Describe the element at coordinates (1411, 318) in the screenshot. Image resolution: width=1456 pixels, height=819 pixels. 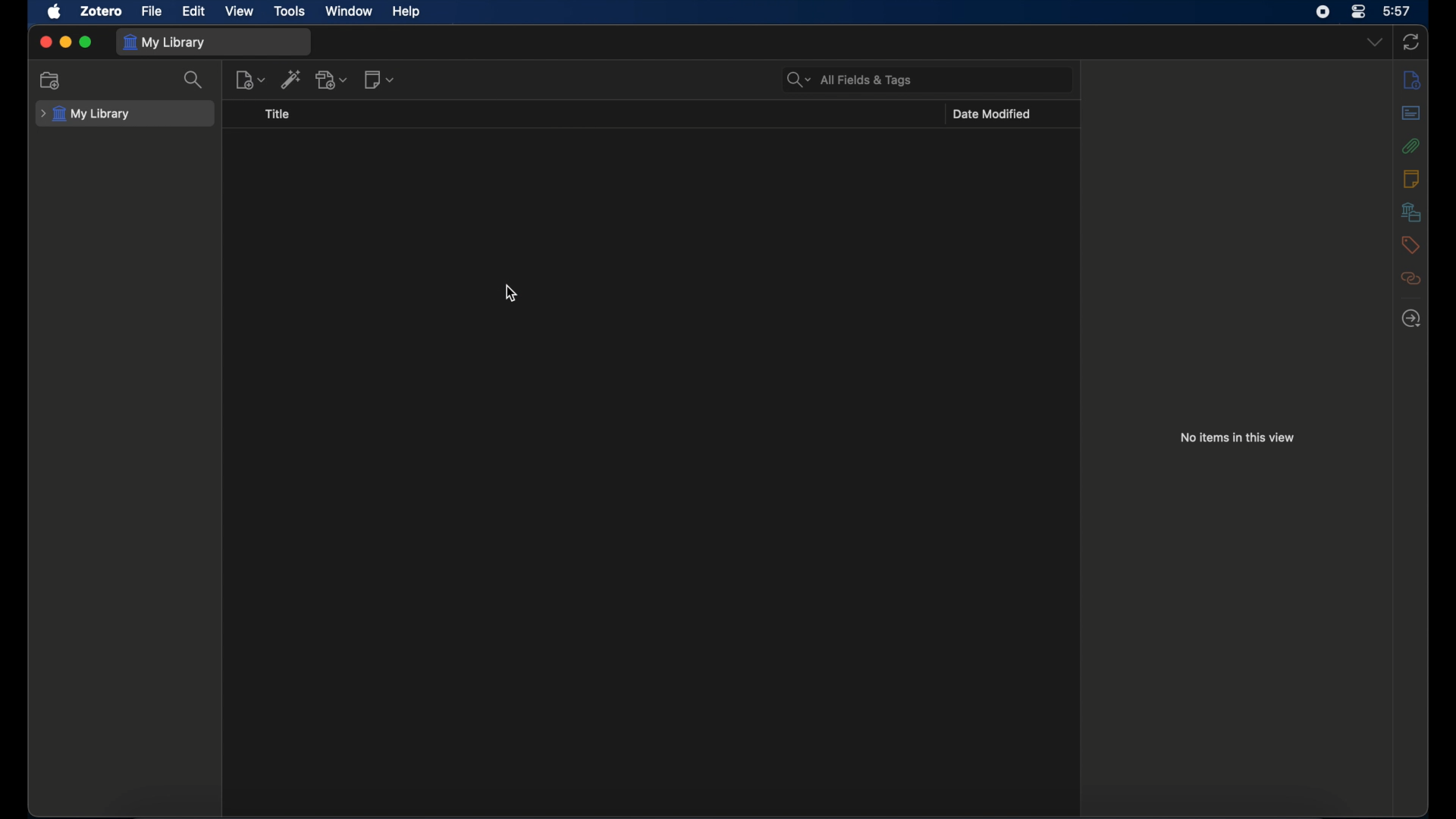
I see `locate` at that location.